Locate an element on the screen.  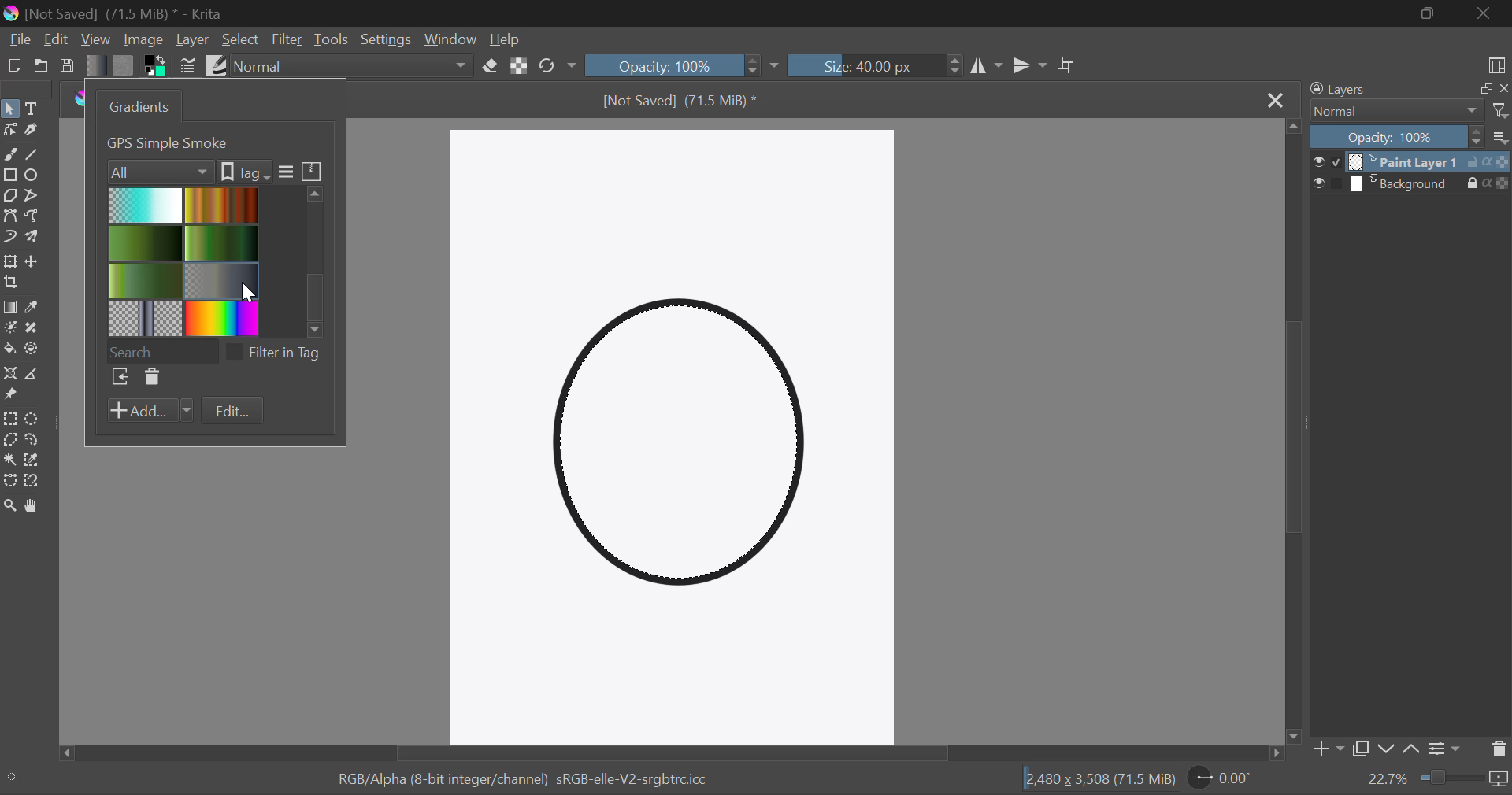
Pan is located at coordinates (35, 507).